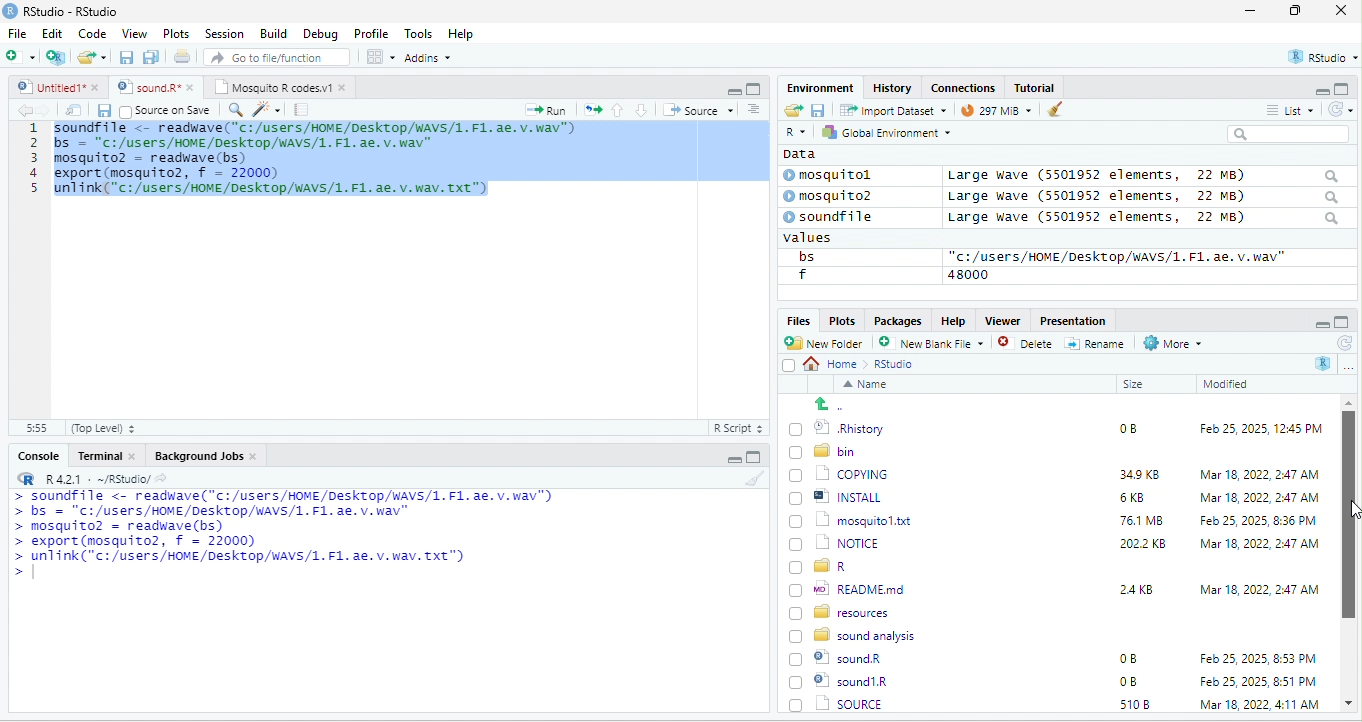 The image size is (1362, 722). What do you see at coordinates (1028, 344) in the screenshot?
I see `Delete` at bounding box center [1028, 344].